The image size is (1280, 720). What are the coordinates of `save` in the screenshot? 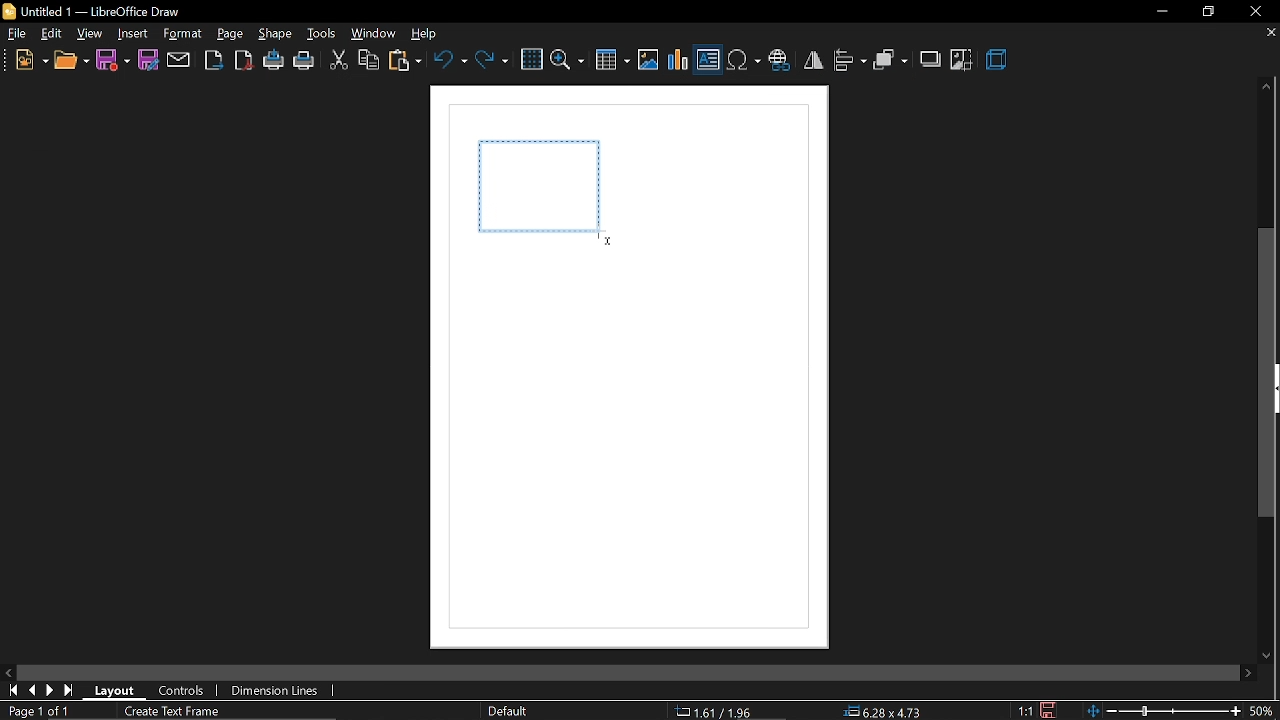 It's located at (1046, 709).